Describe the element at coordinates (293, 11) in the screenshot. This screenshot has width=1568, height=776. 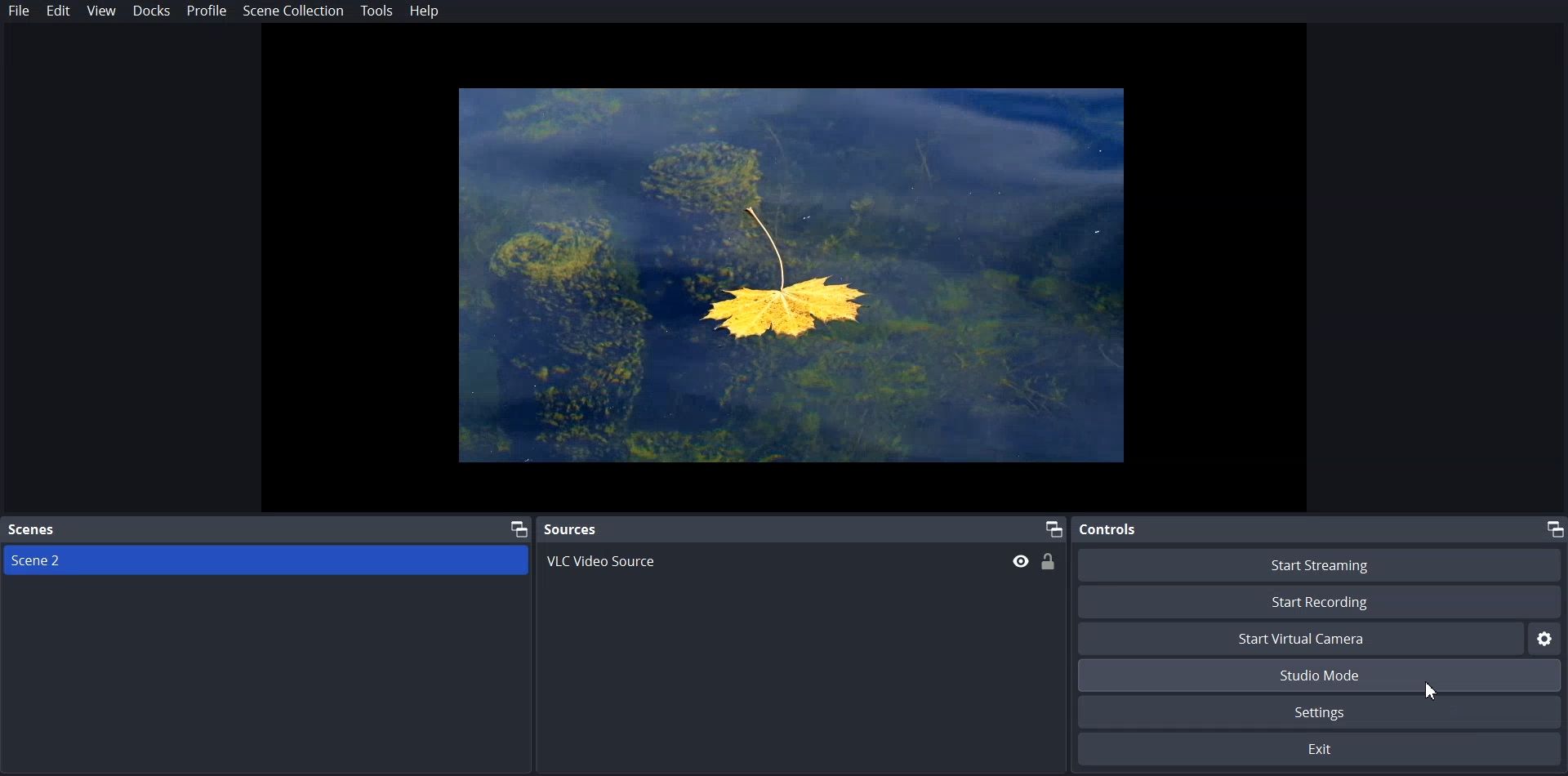
I see `Scene Collection` at that location.